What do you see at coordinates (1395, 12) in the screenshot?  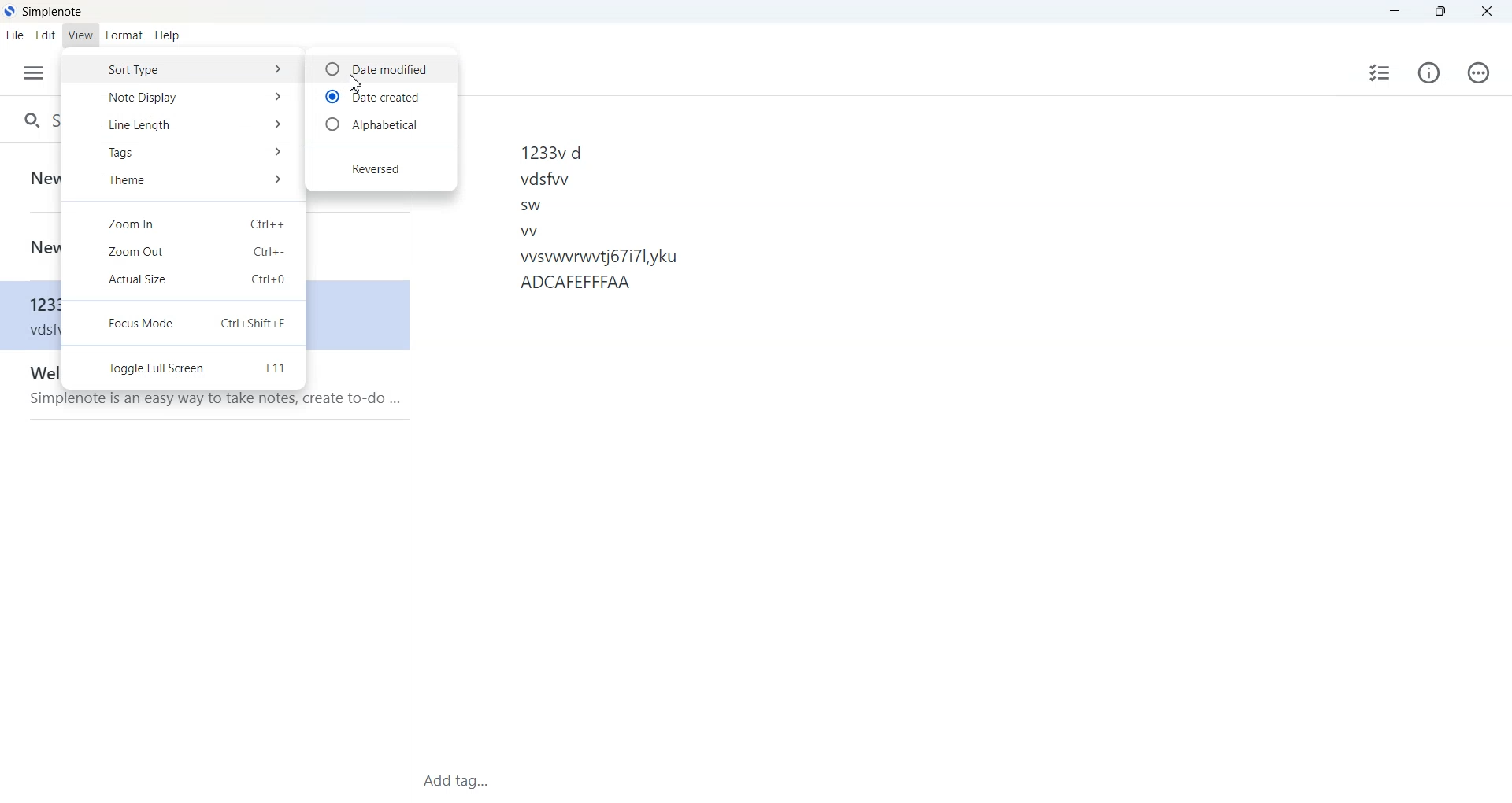 I see `Minimize` at bounding box center [1395, 12].